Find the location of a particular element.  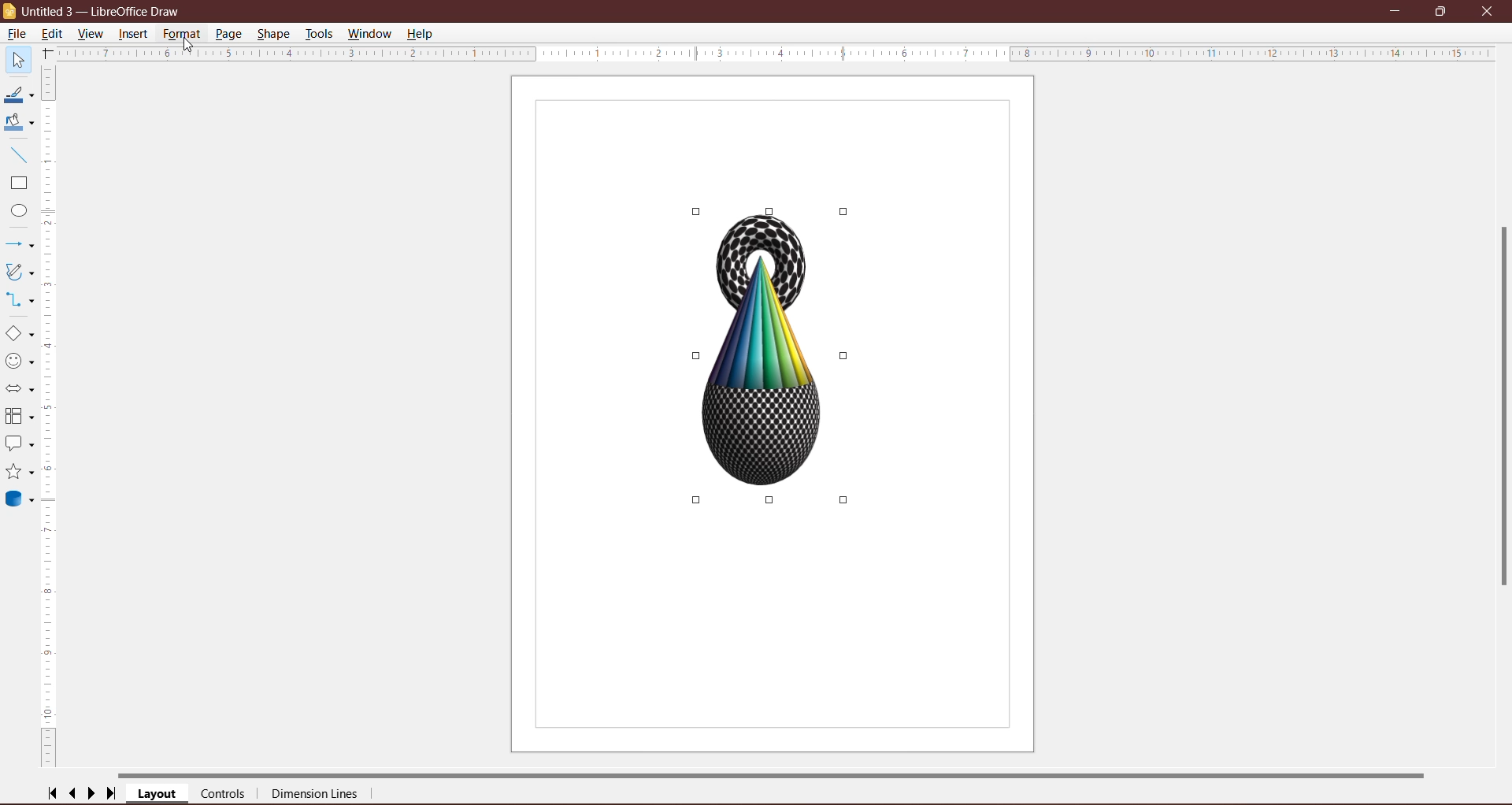

Insert Line is located at coordinates (19, 154).